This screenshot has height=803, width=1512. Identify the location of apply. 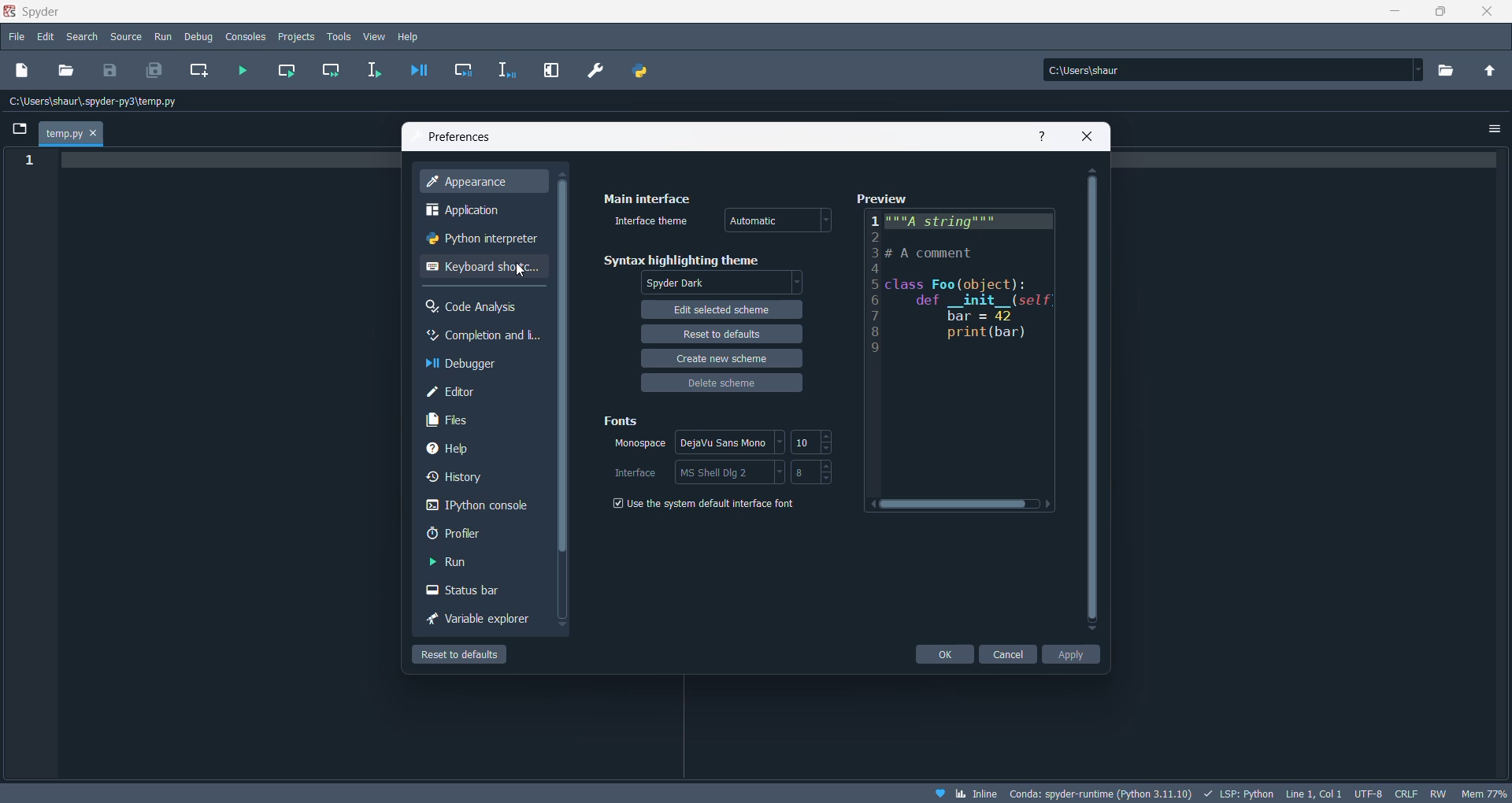
(1074, 654).